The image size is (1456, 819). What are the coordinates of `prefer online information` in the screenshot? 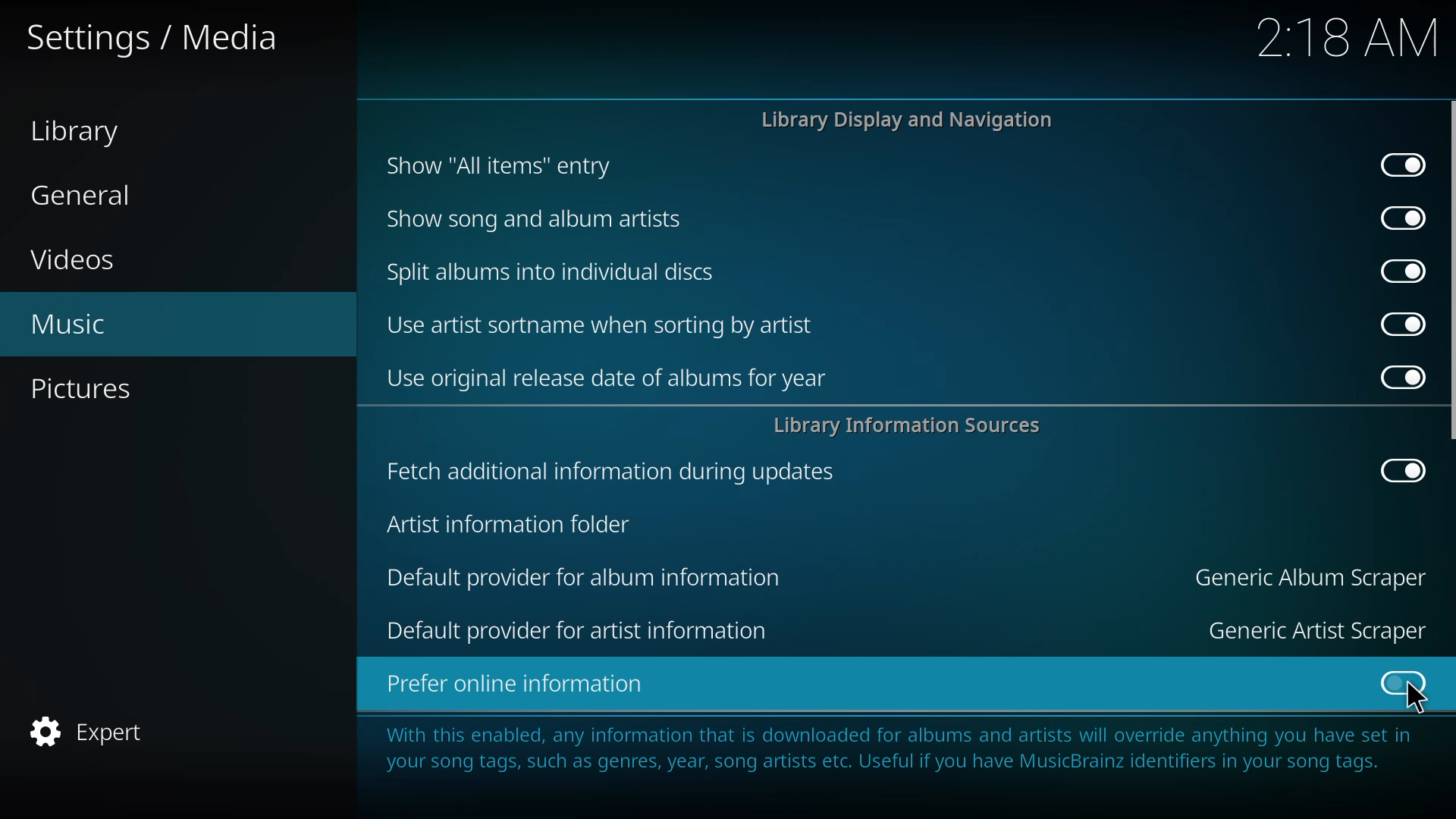 It's located at (526, 683).